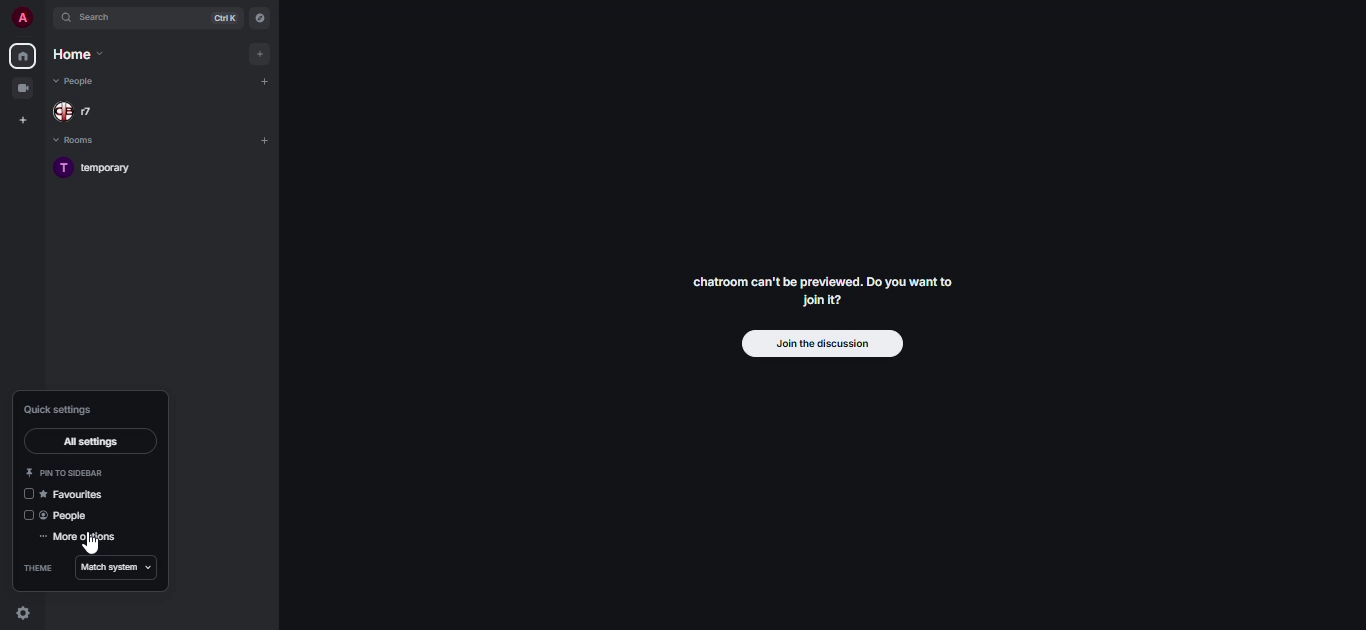  I want to click on favorites, so click(79, 495).